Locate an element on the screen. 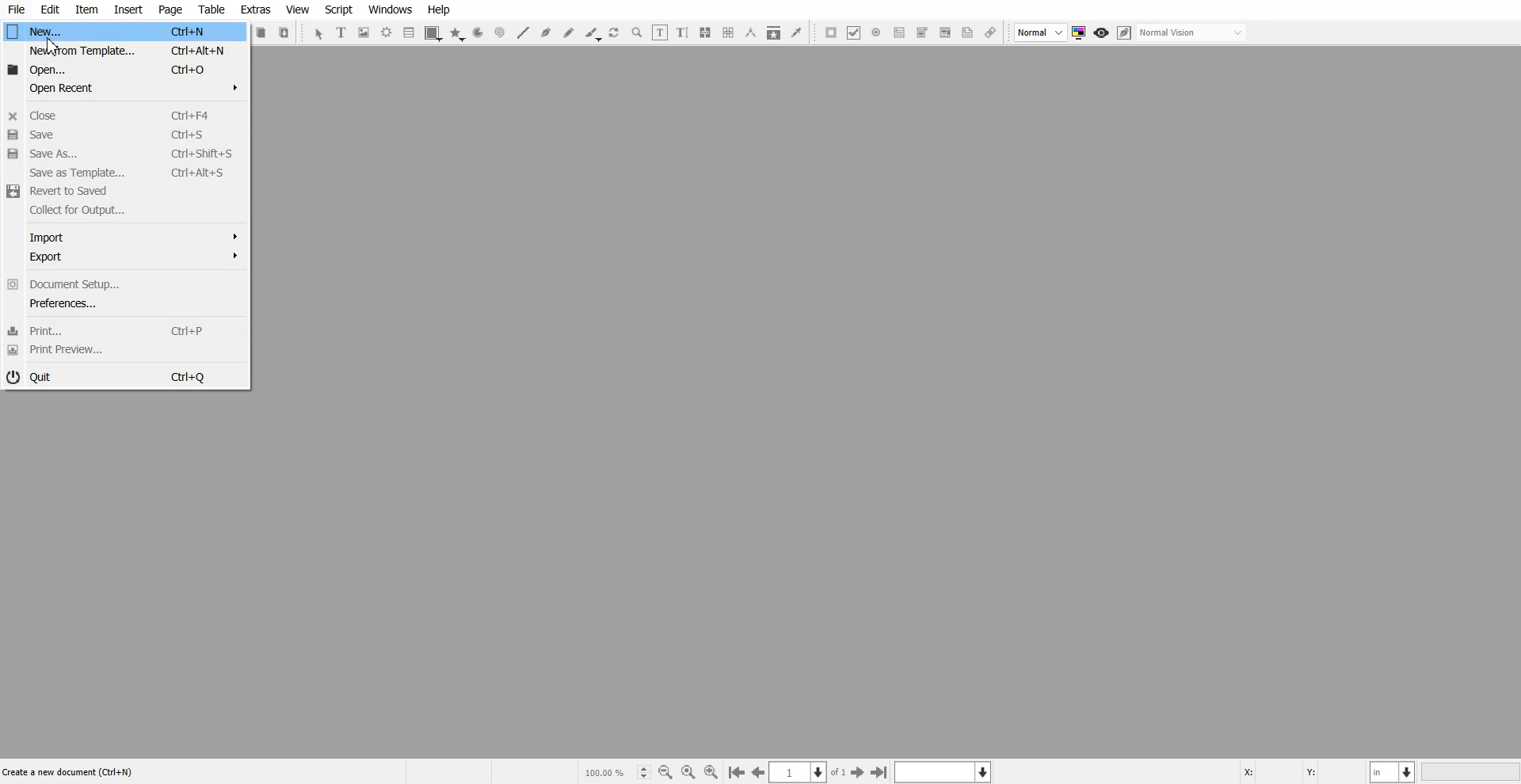 The width and height of the screenshot is (1521, 784). Help is located at coordinates (438, 10).